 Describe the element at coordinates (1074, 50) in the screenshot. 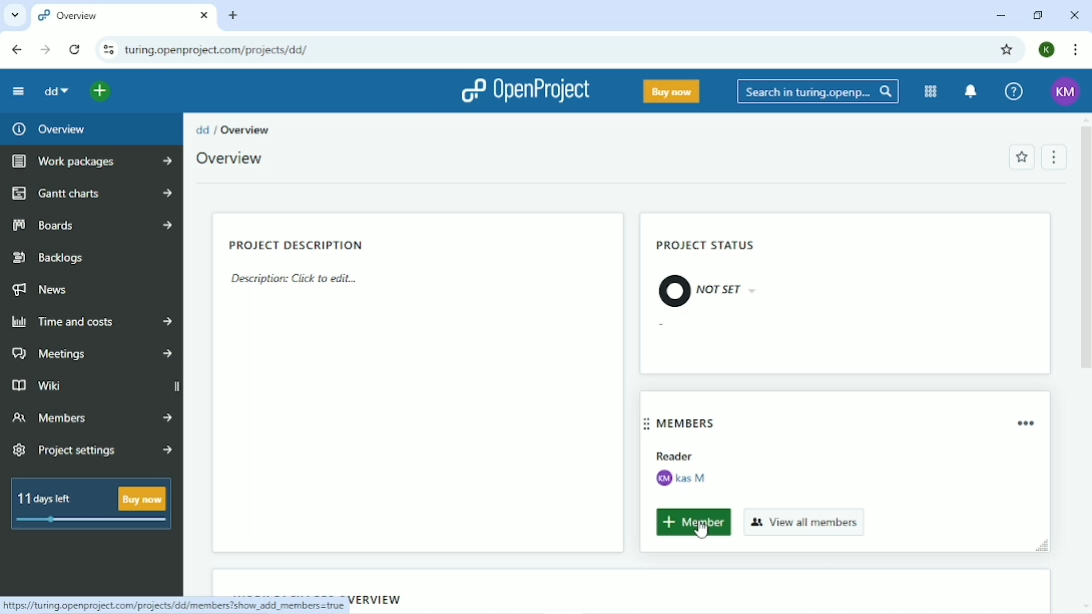

I see `Customize and control google chrome` at that location.